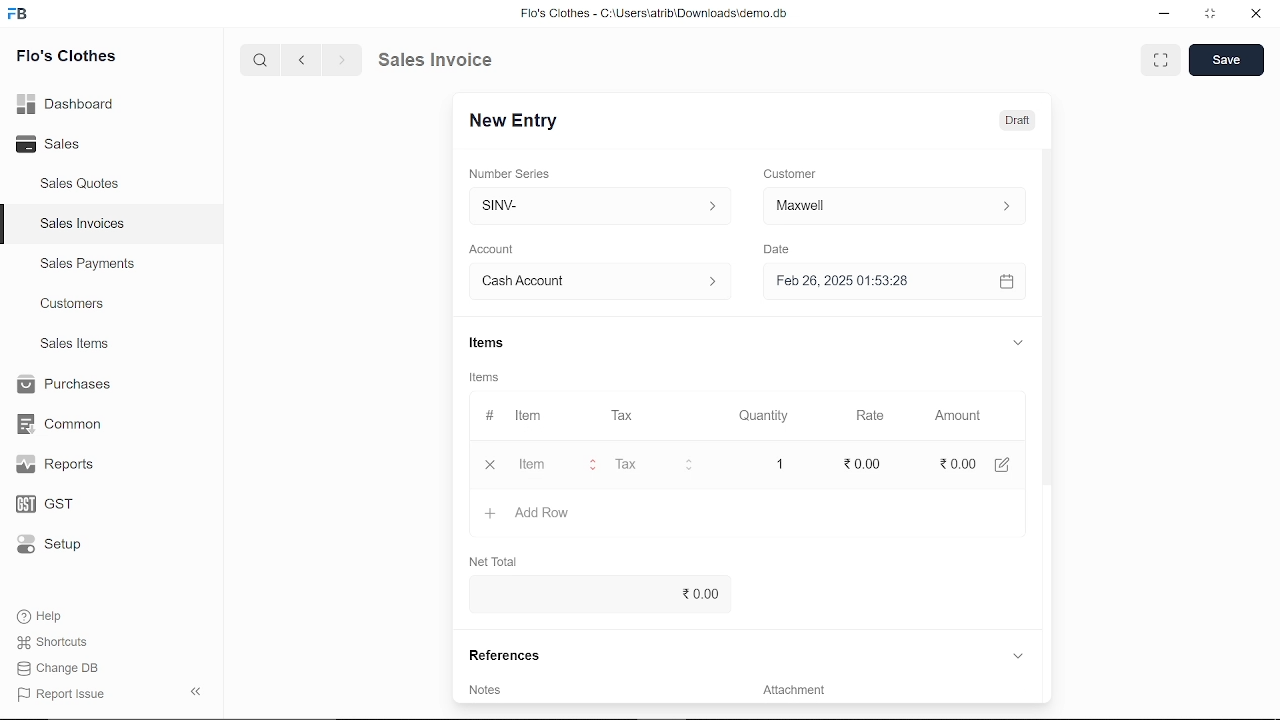 Image resolution: width=1280 pixels, height=720 pixels. What do you see at coordinates (450, 59) in the screenshot?
I see `Sales Invoice` at bounding box center [450, 59].